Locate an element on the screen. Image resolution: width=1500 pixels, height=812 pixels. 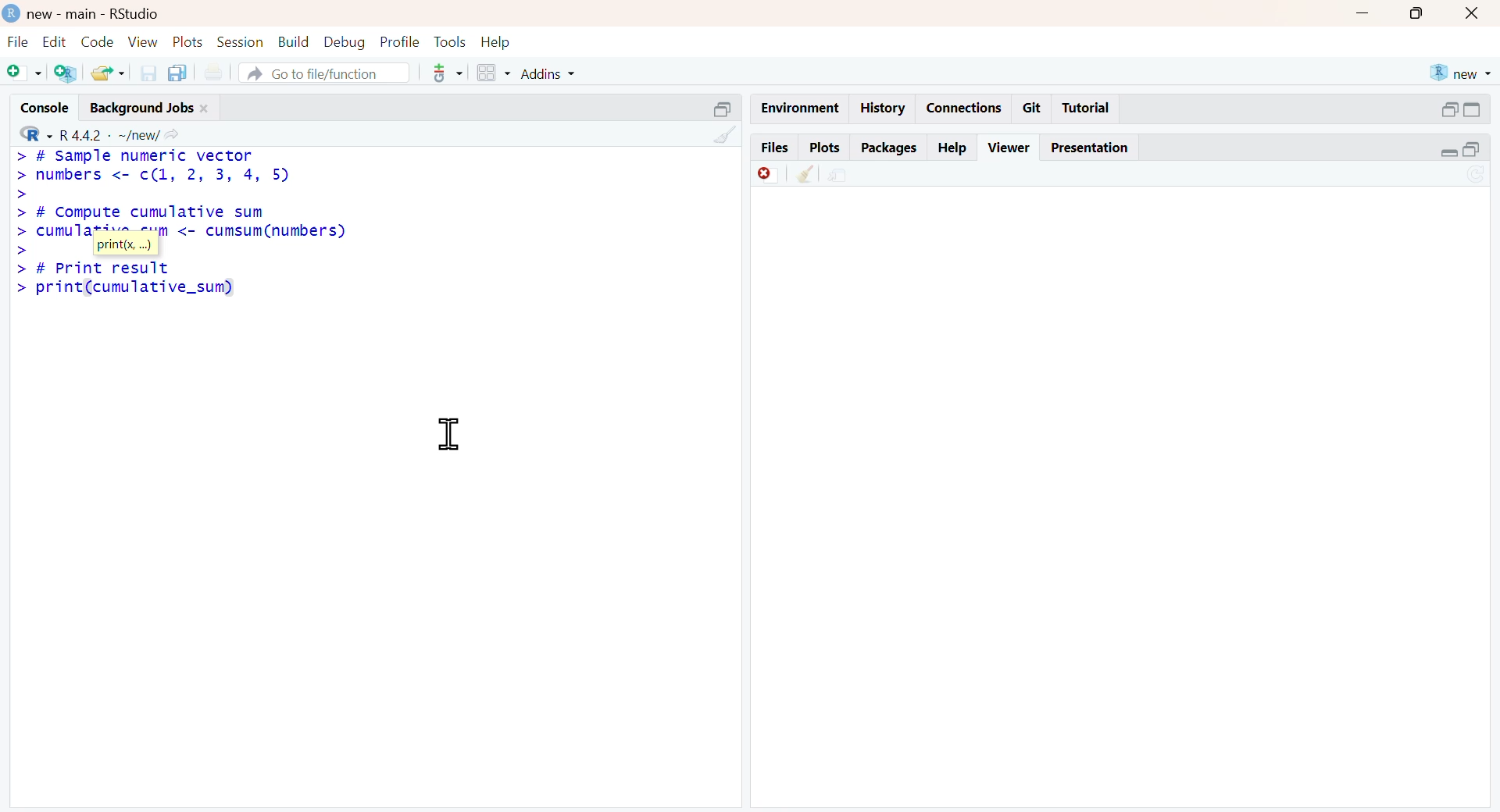
console is located at coordinates (47, 107).